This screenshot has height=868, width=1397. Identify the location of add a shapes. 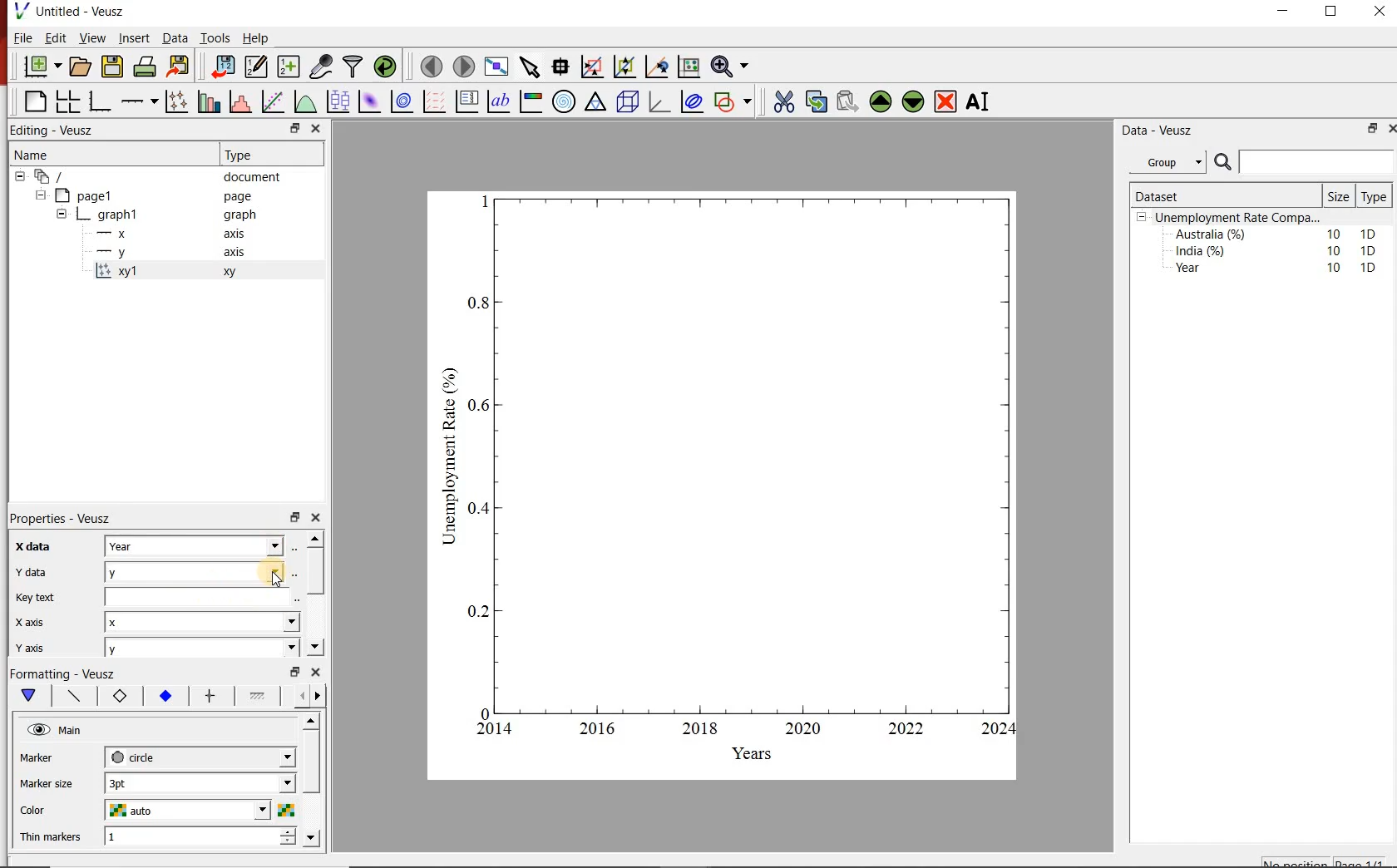
(733, 101).